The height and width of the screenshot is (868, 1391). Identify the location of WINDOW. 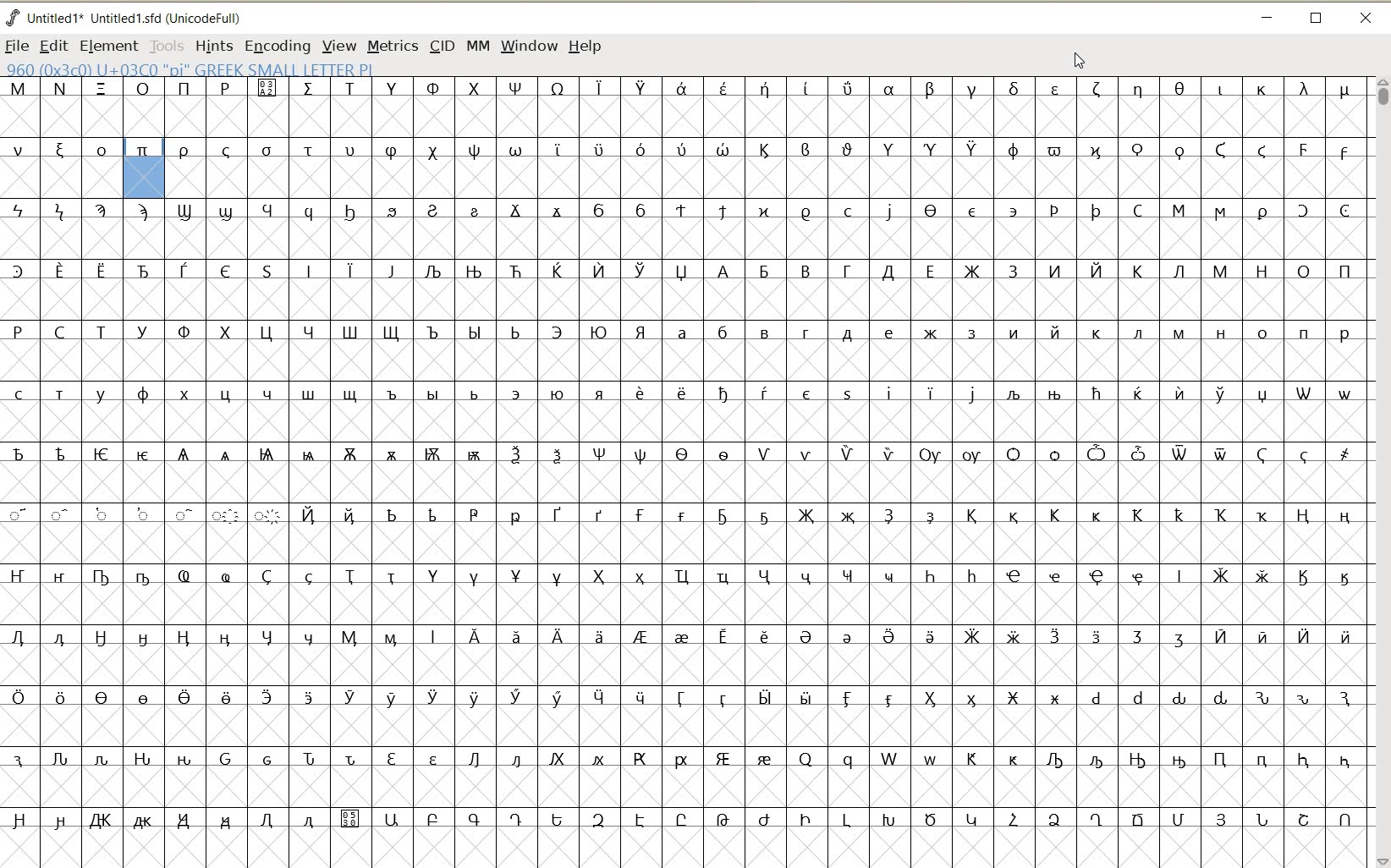
(529, 45).